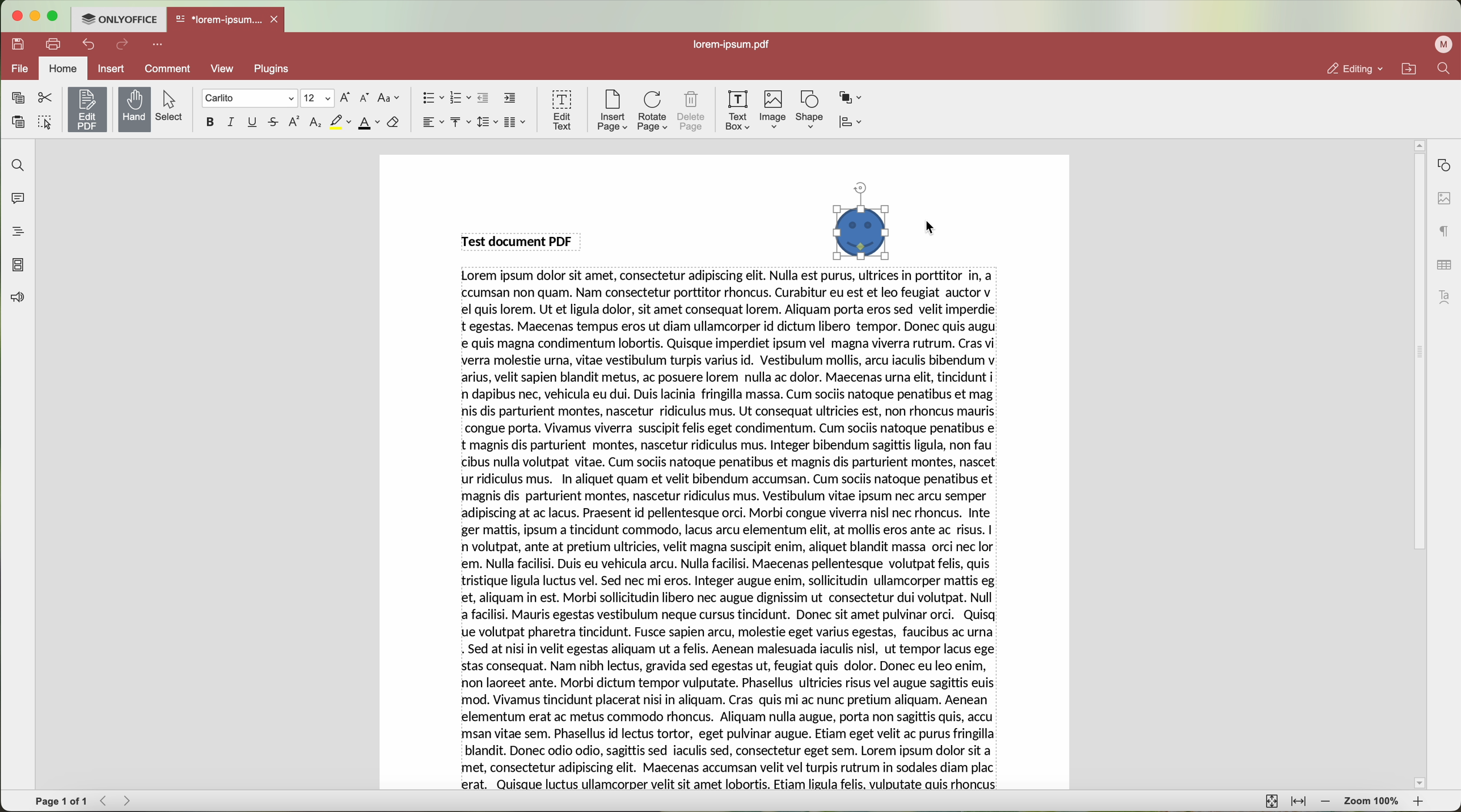 The image size is (1461, 812). What do you see at coordinates (1418, 464) in the screenshot?
I see `scrollbar` at bounding box center [1418, 464].